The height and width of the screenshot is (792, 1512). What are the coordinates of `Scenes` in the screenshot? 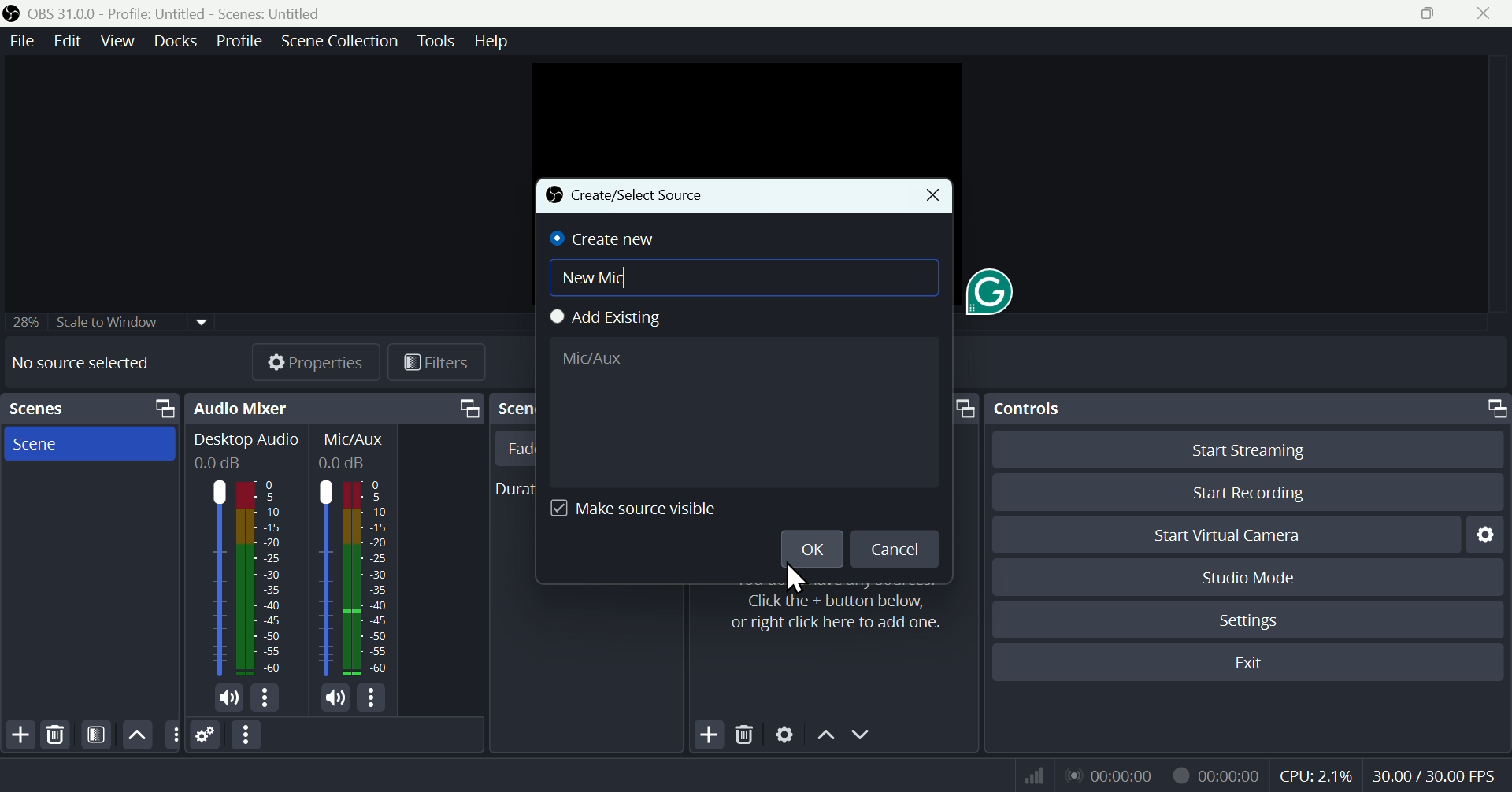 It's located at (89, 409).